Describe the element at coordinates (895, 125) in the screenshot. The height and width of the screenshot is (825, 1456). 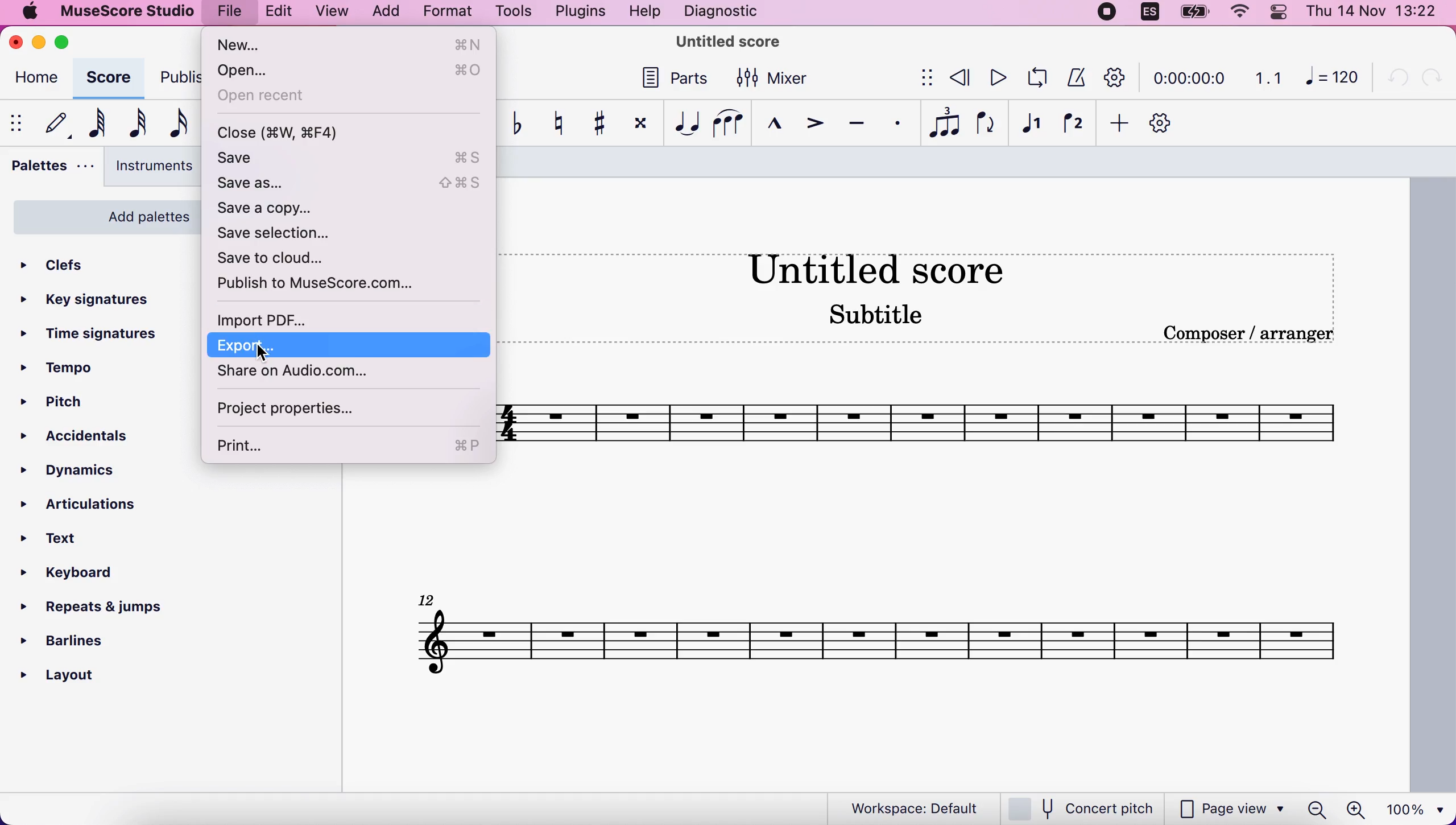
I see `staccato` at that location.